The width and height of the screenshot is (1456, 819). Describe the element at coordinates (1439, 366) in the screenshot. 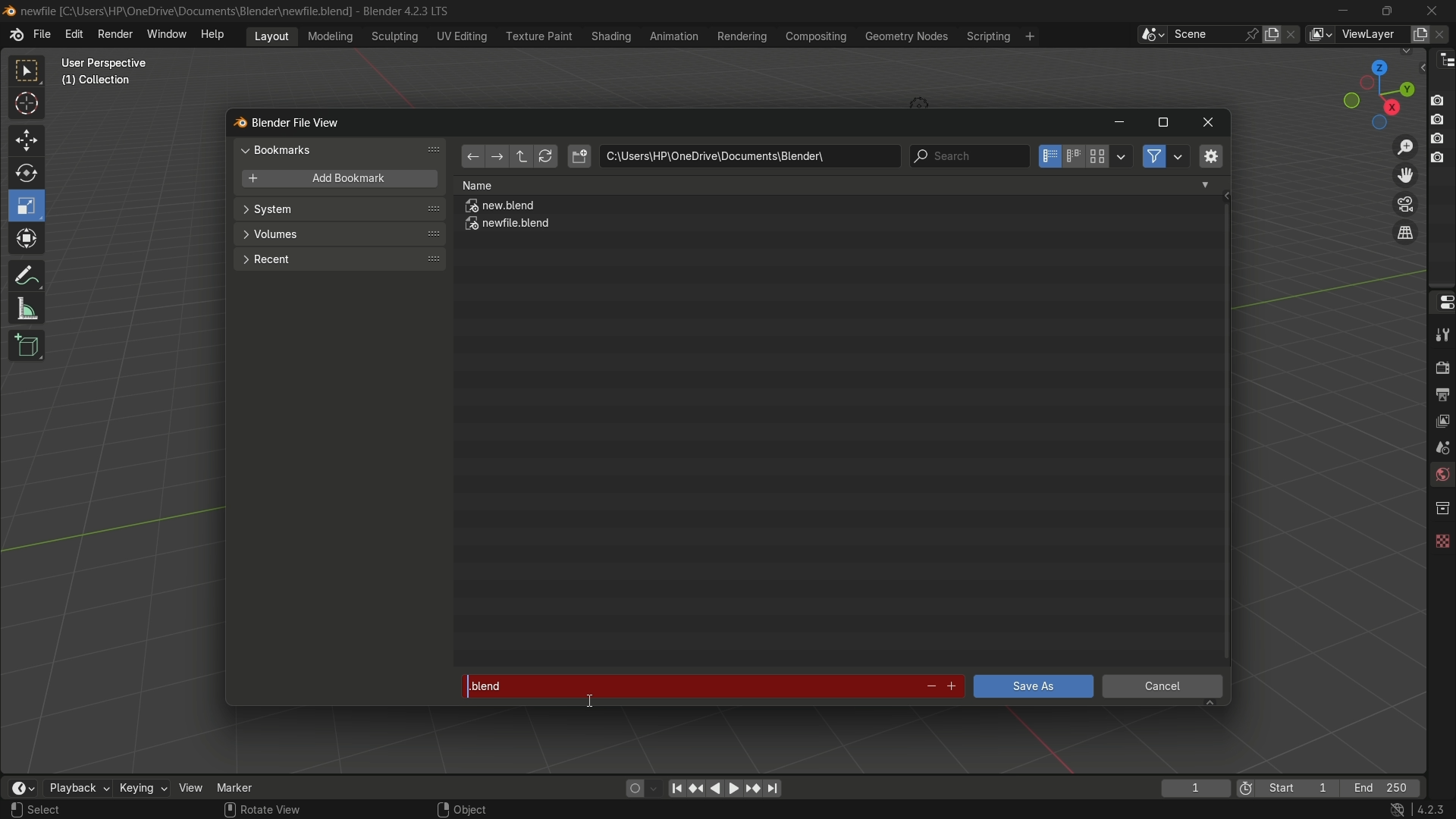

I see `render` at that location.